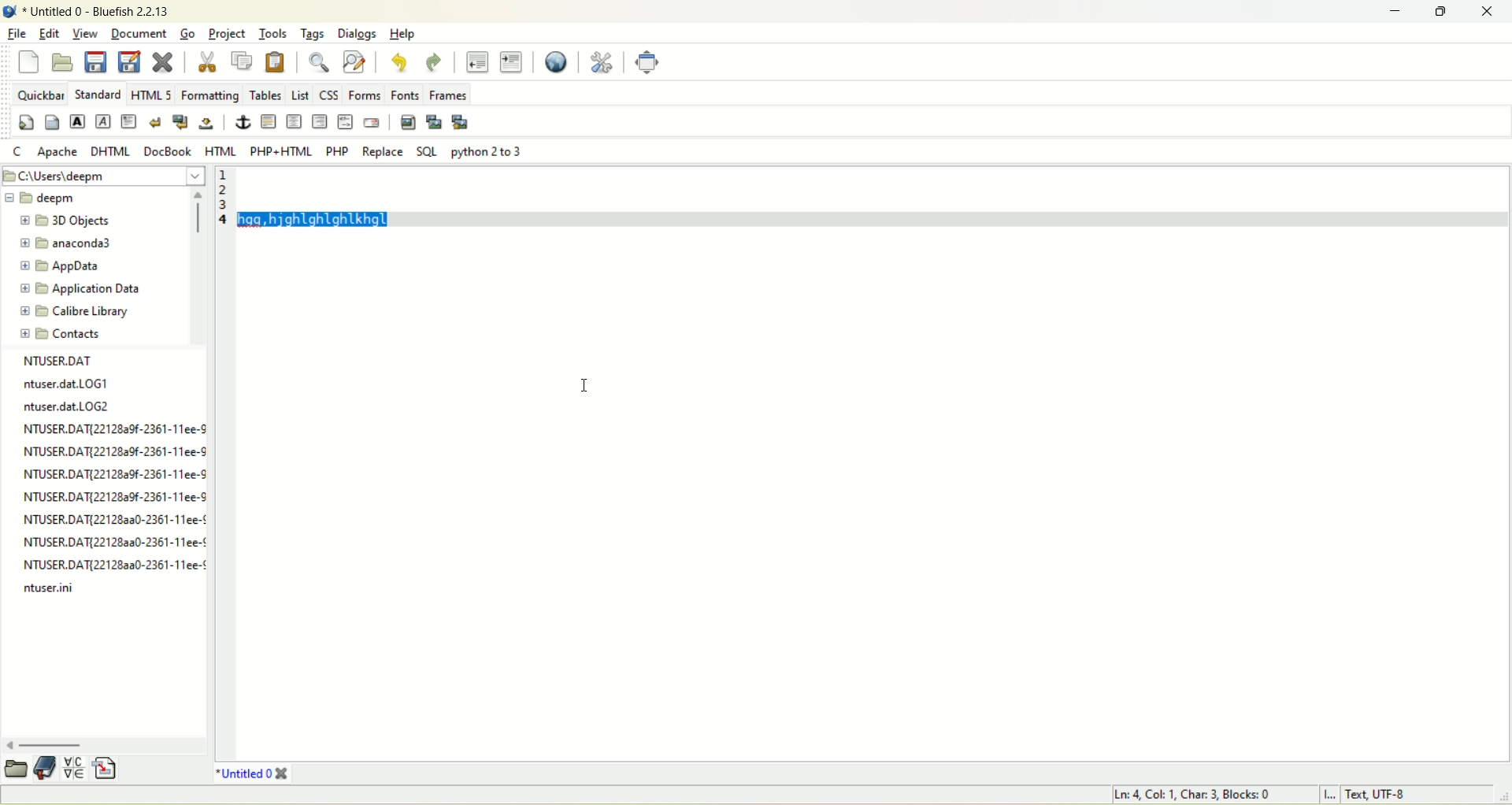 Image resolution: width=1512 pixels, height=805 pixels. Describe the element at coordinates (371, 124) in the screenshot. I see `email` at that location.